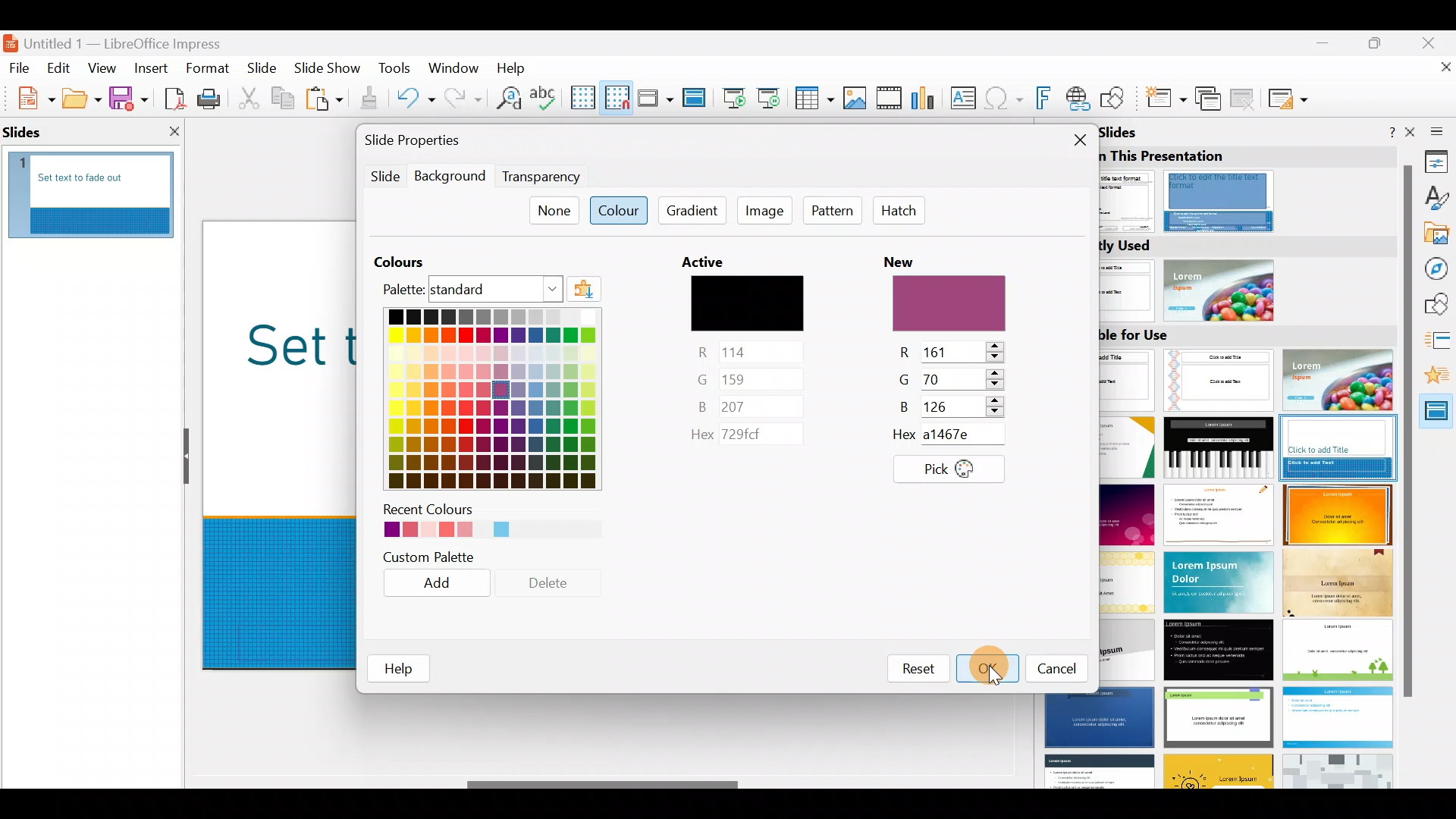 The width and height of the screenshot is (1456, 819). What do you see at coordinates (749, 350) in the screenshot?
I see `red` at bounding box center [749, 350].